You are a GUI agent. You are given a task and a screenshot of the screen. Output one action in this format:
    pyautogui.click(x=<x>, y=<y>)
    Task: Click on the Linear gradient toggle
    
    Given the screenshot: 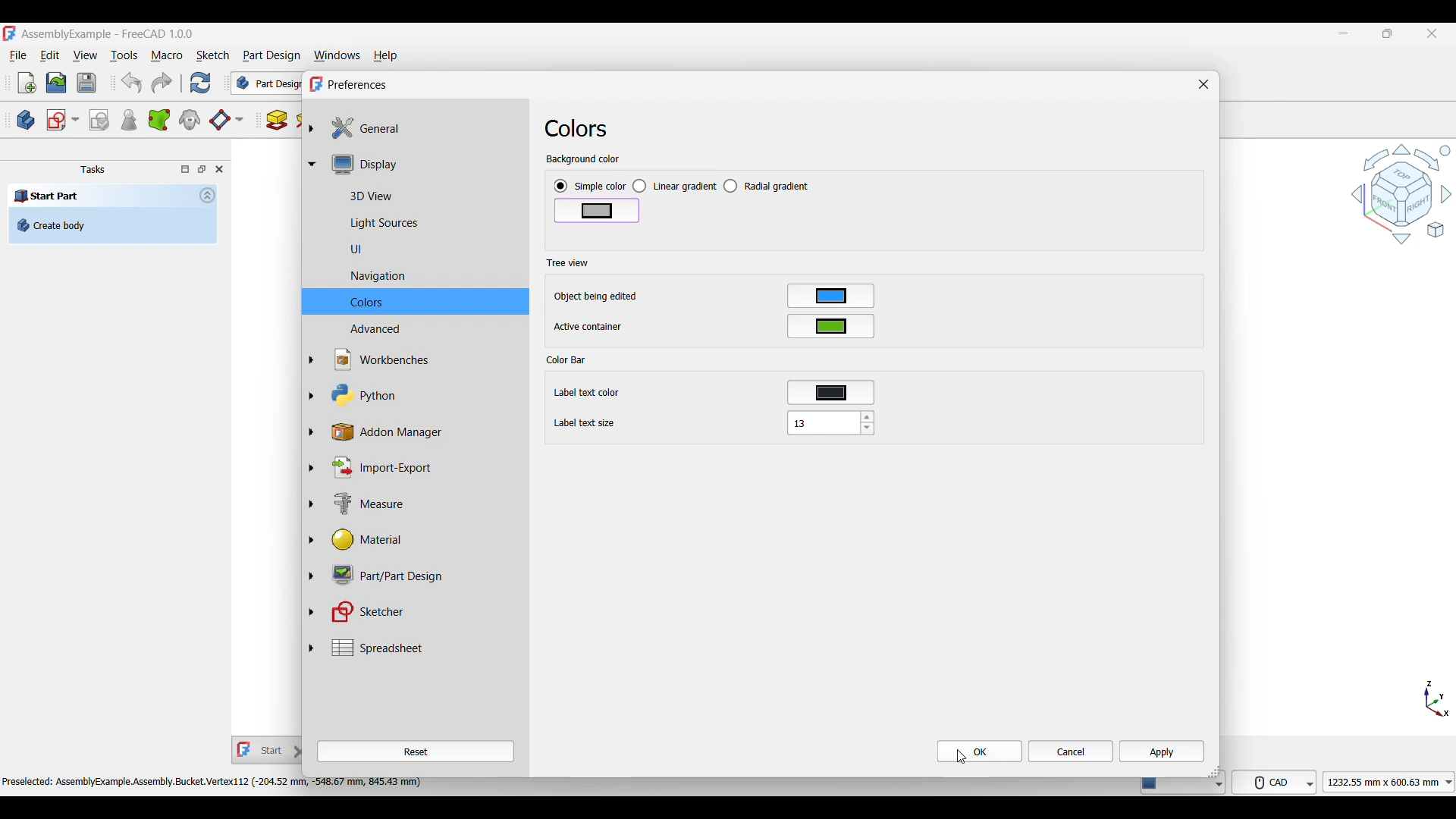 What is the action you would take?
    pyautogui.click(x=674, y=187)
    